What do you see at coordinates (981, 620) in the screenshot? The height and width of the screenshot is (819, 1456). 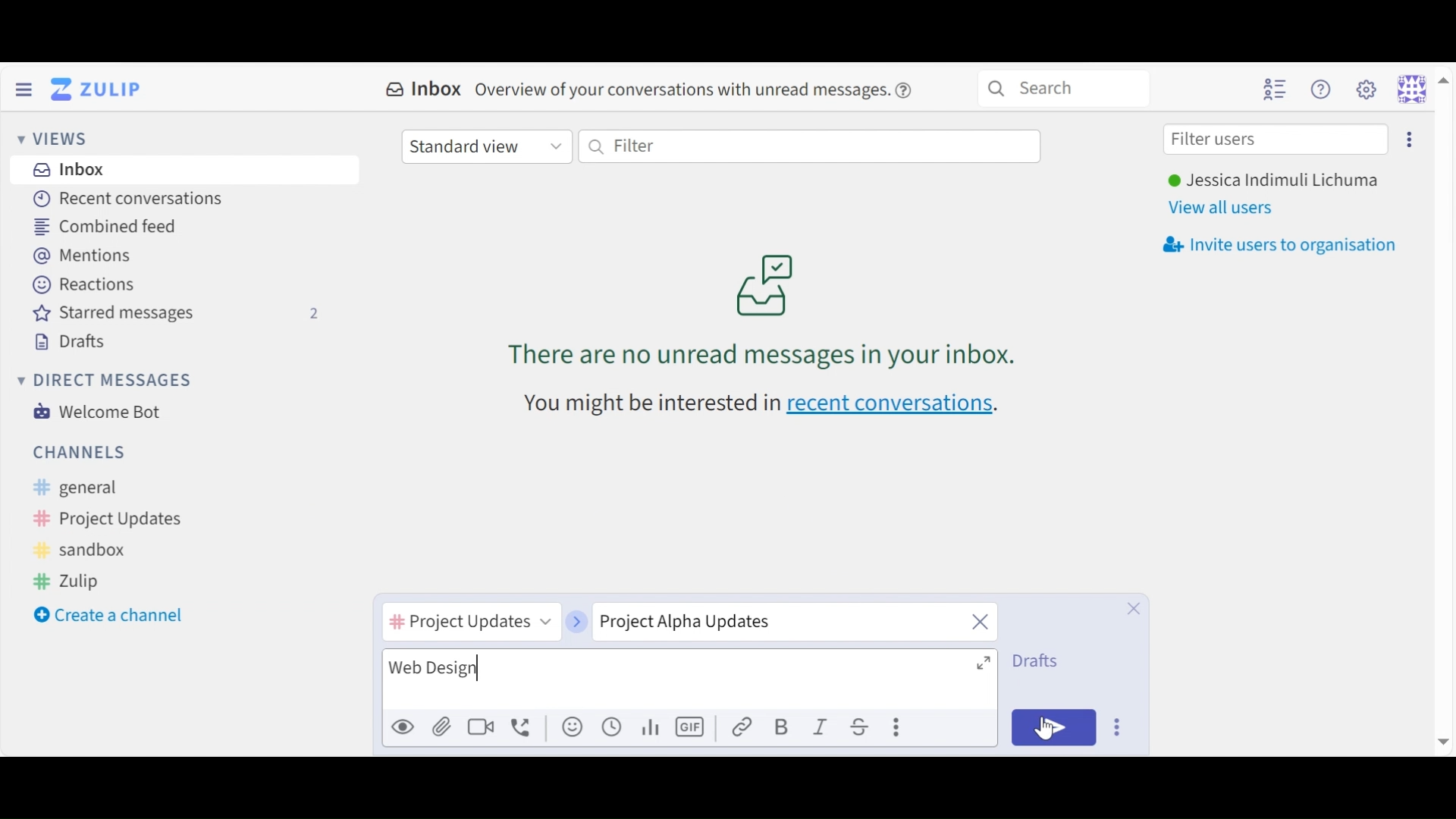 I see `close` at bounding box center [981, 620].